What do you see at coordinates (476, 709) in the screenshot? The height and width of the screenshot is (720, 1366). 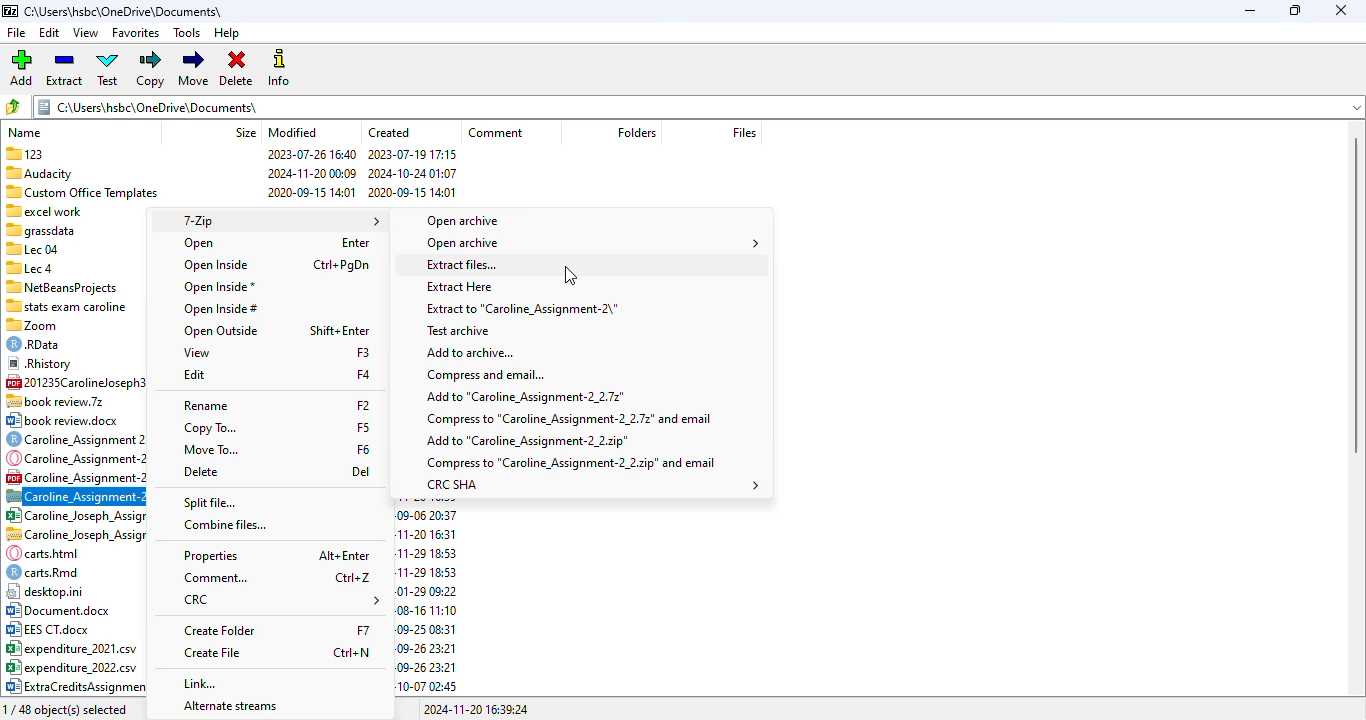 I see `2024-11-20 16:39:24` at bounding box center [476, 709].